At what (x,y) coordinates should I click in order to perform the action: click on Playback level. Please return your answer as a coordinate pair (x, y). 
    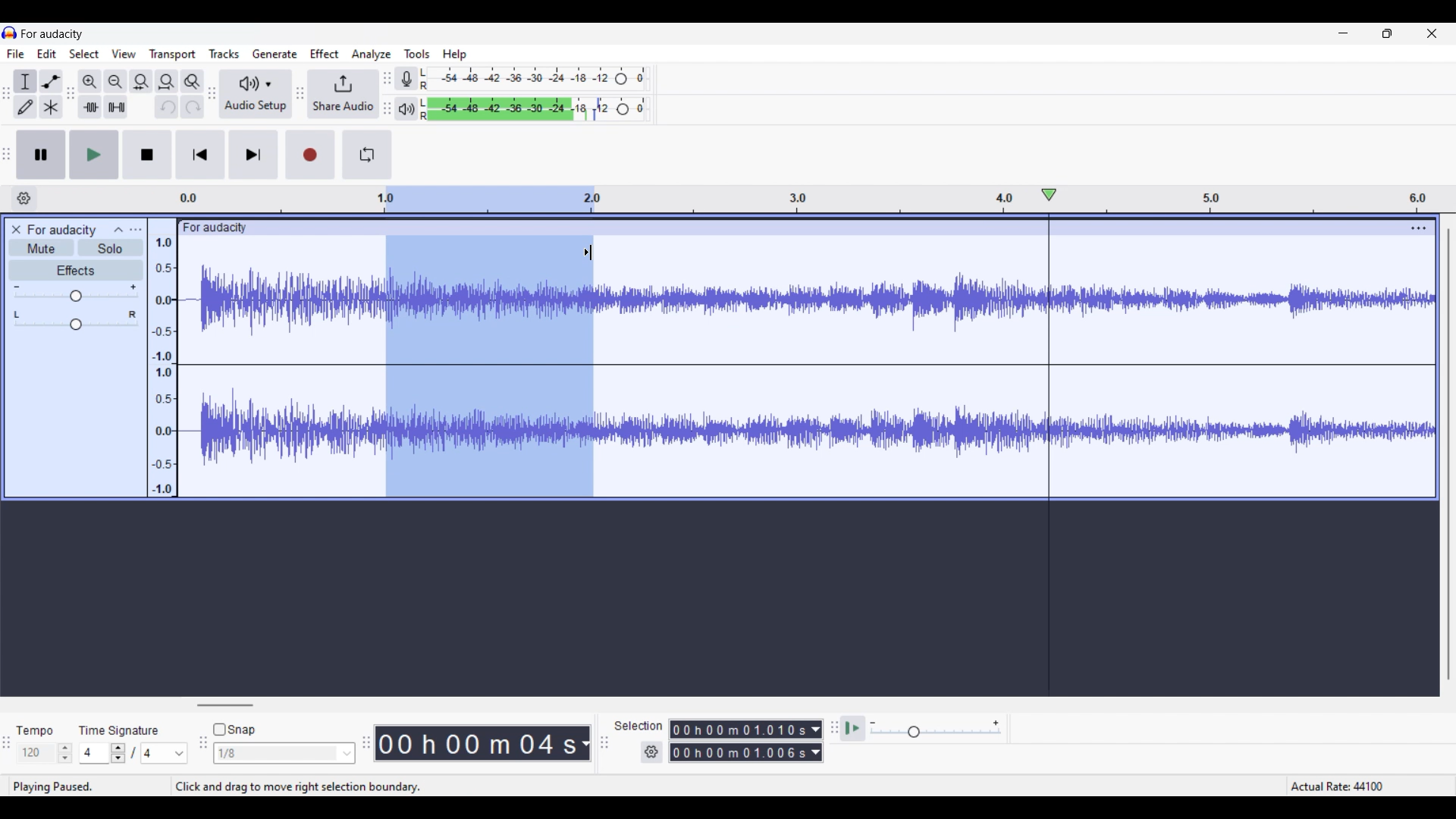
    Looking at the image, I should click on (535, 108).